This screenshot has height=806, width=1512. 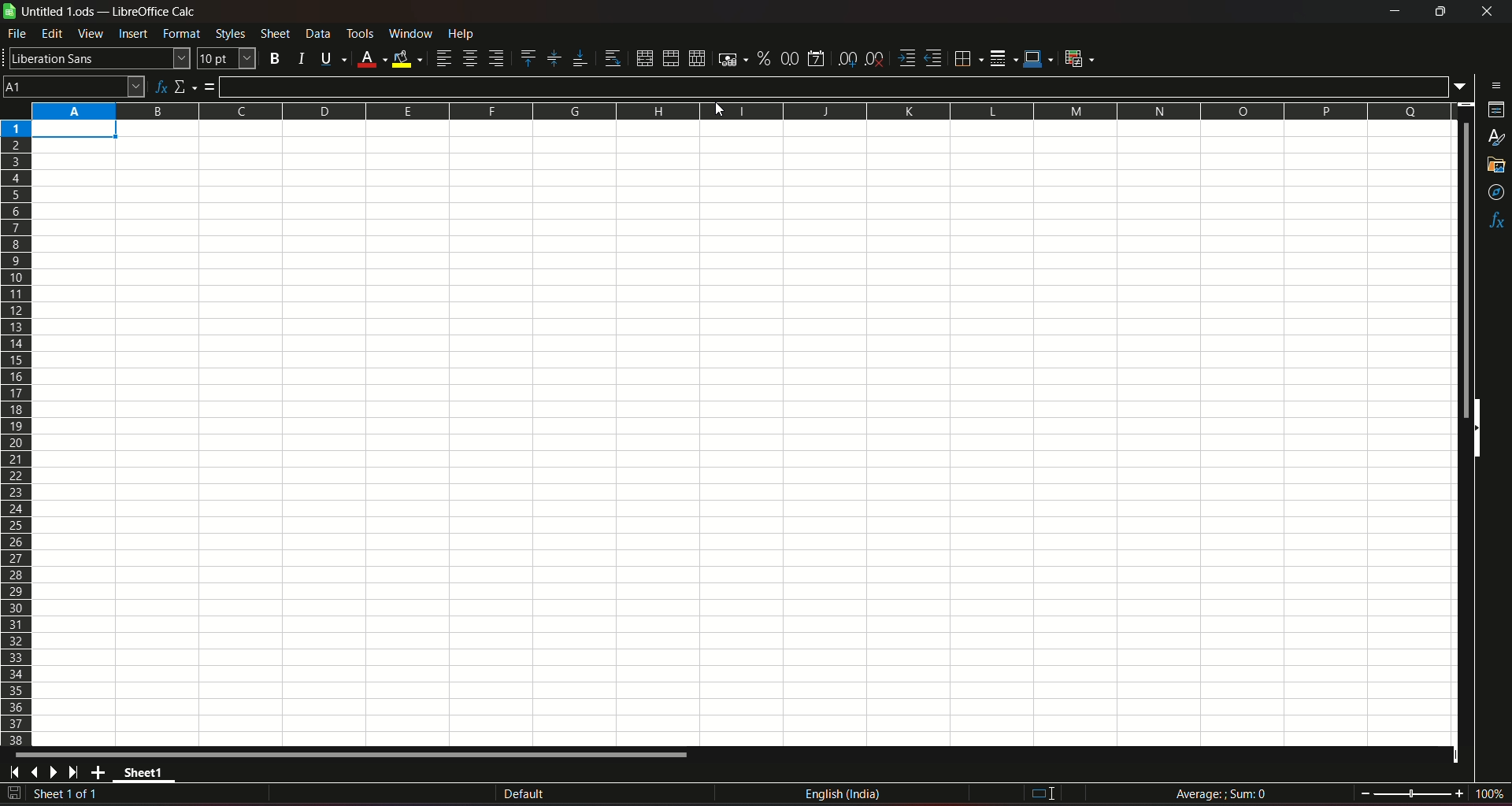 What do you see at coordinates (876, 58) in the screenshot?
I see `delete decimal point` at bounding box center [876, 58].